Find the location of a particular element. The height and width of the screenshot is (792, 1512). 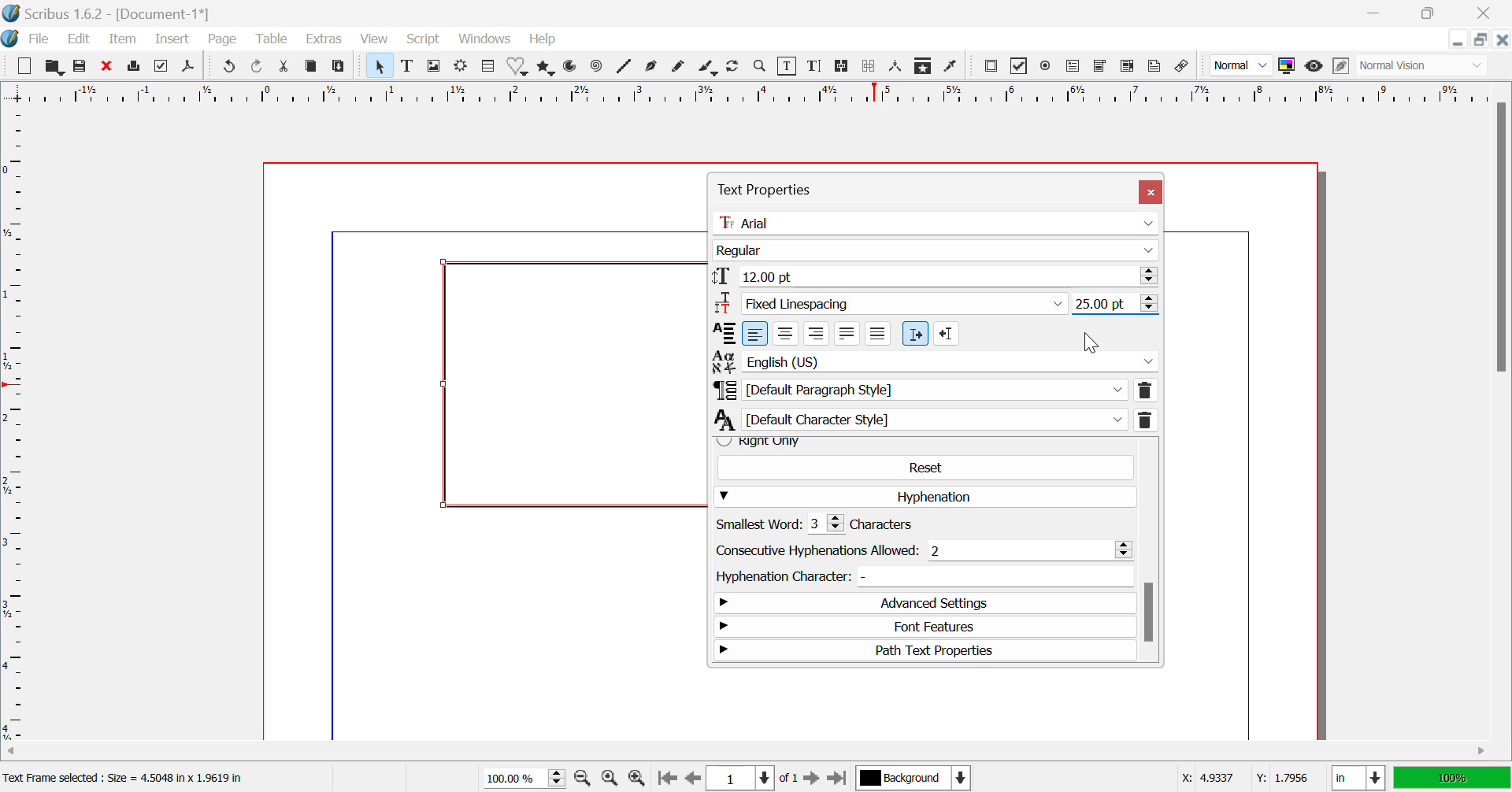

Close is located at coordinates (1484, 13).